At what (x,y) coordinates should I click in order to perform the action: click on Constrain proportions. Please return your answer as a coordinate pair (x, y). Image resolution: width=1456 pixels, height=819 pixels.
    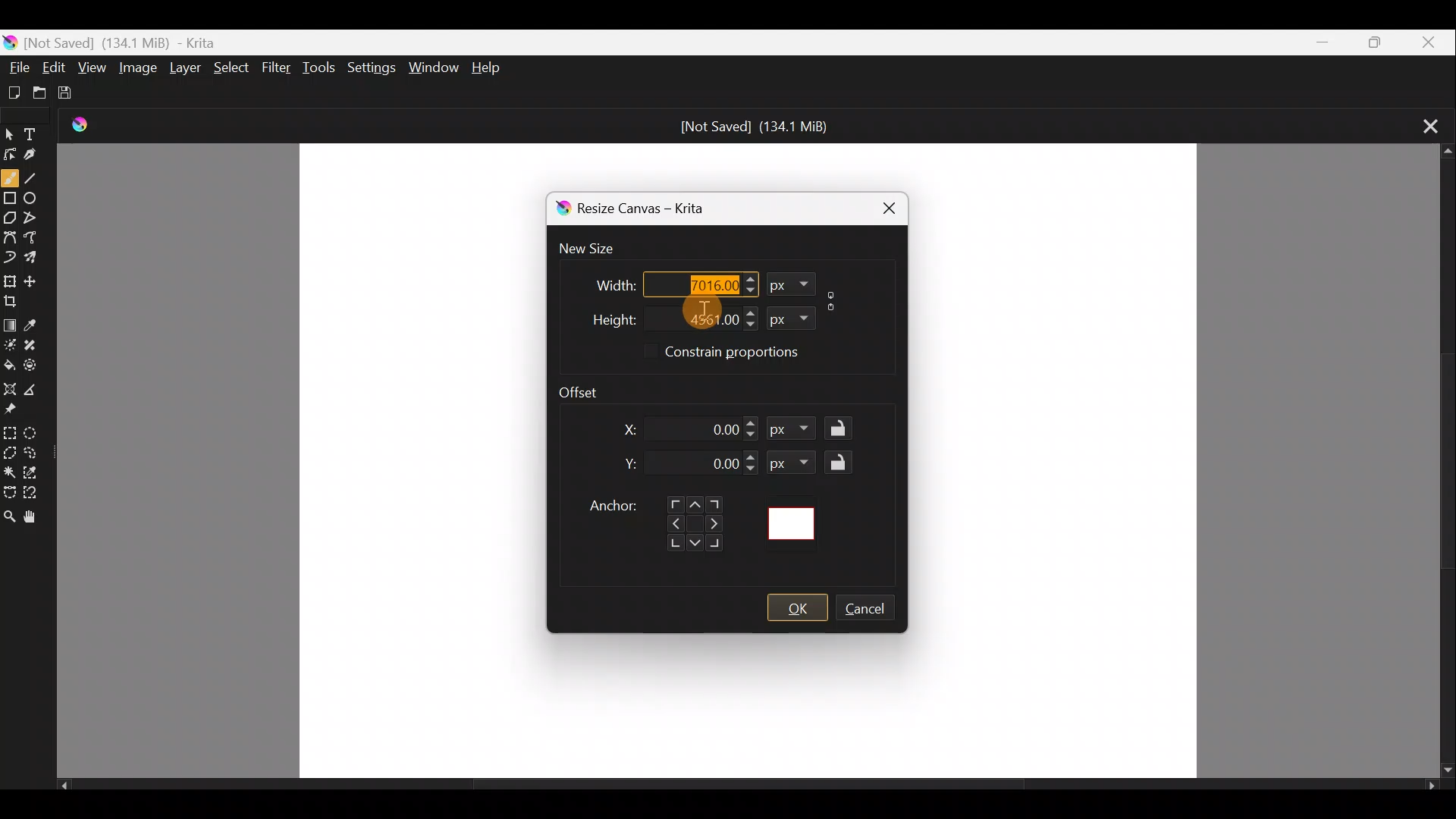
    Looking at the image, I should click on (834, 298).